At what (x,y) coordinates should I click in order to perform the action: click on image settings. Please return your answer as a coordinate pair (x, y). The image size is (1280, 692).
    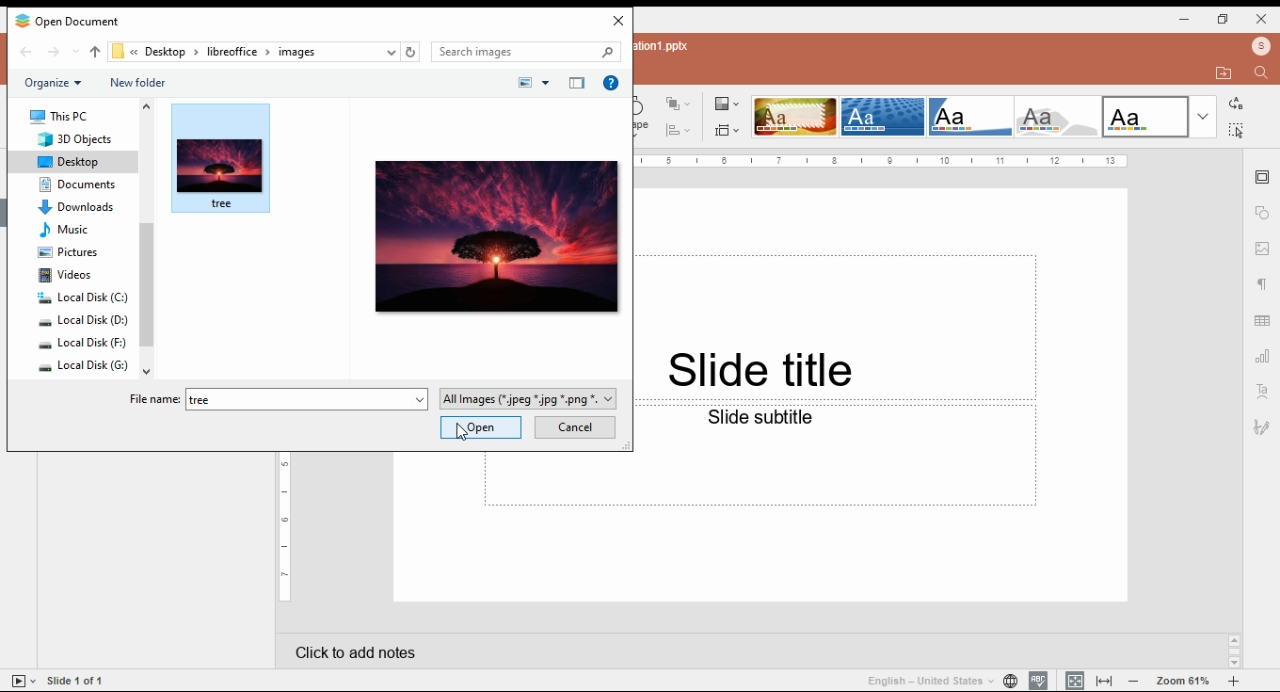
    Looking at the image, I should click on (1262, 249).